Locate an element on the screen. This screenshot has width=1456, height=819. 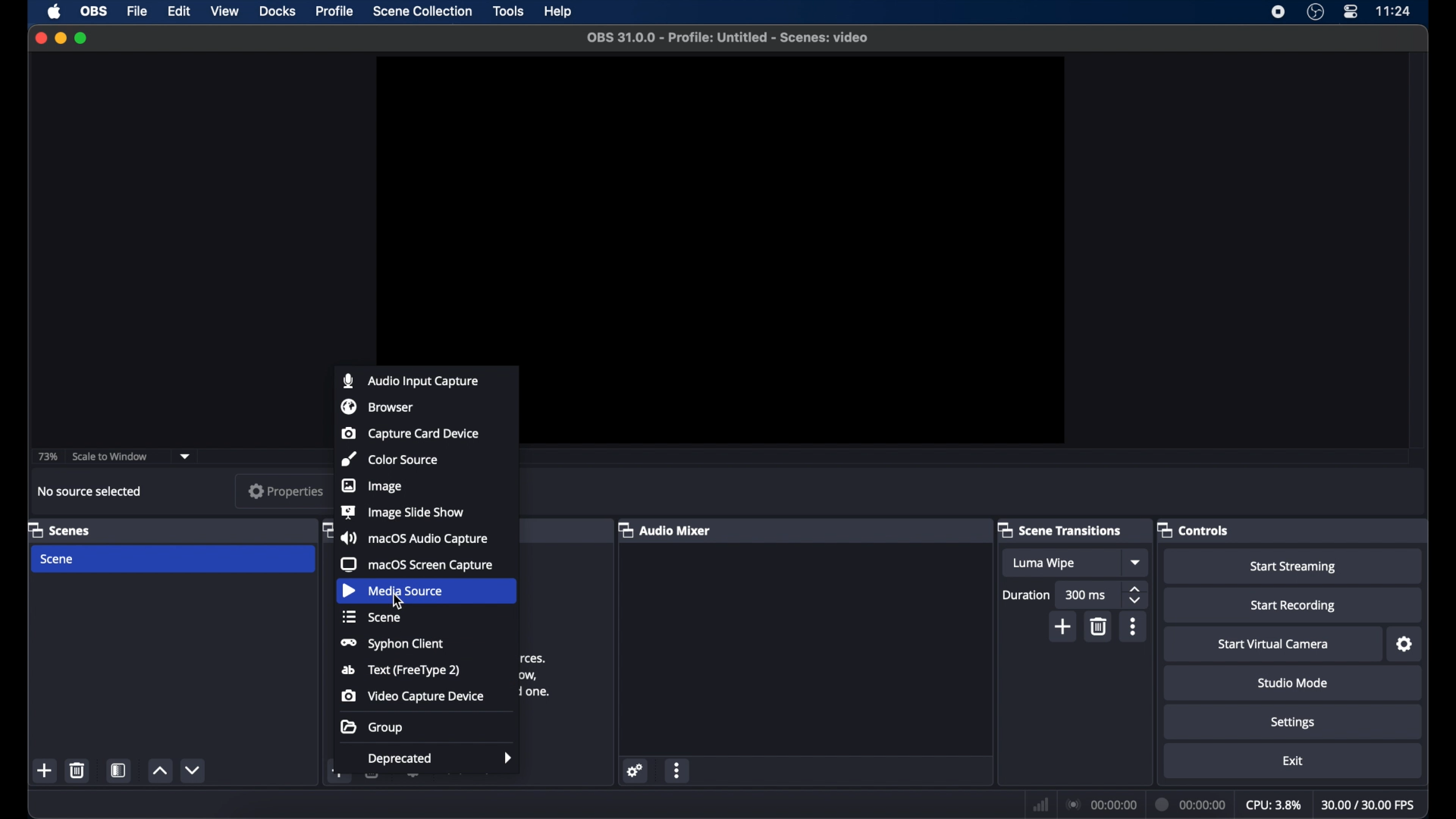
more options is located at coordinates (679, 770).